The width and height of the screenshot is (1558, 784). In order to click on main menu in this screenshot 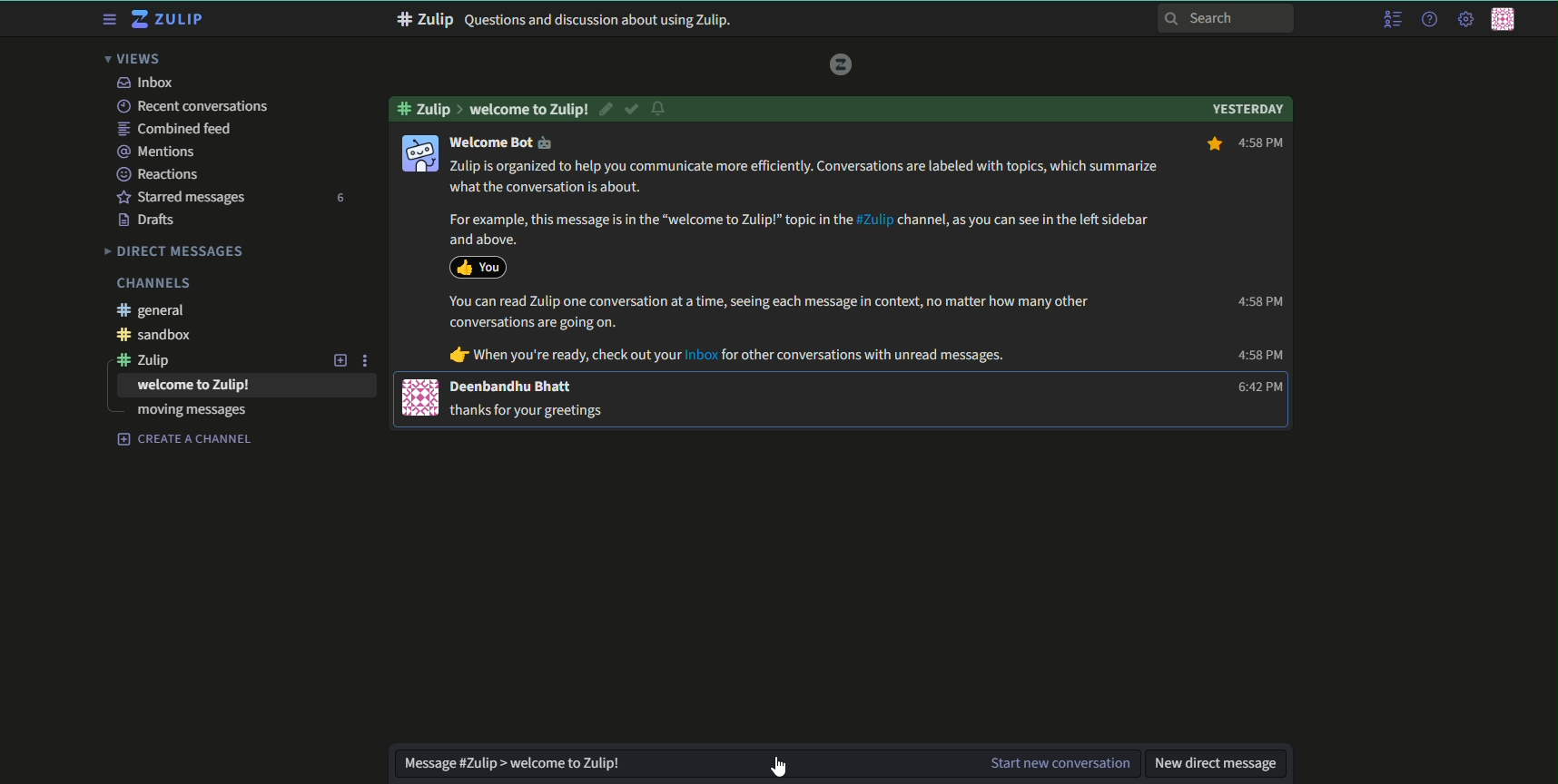, I will do `click(1464, 19)`.